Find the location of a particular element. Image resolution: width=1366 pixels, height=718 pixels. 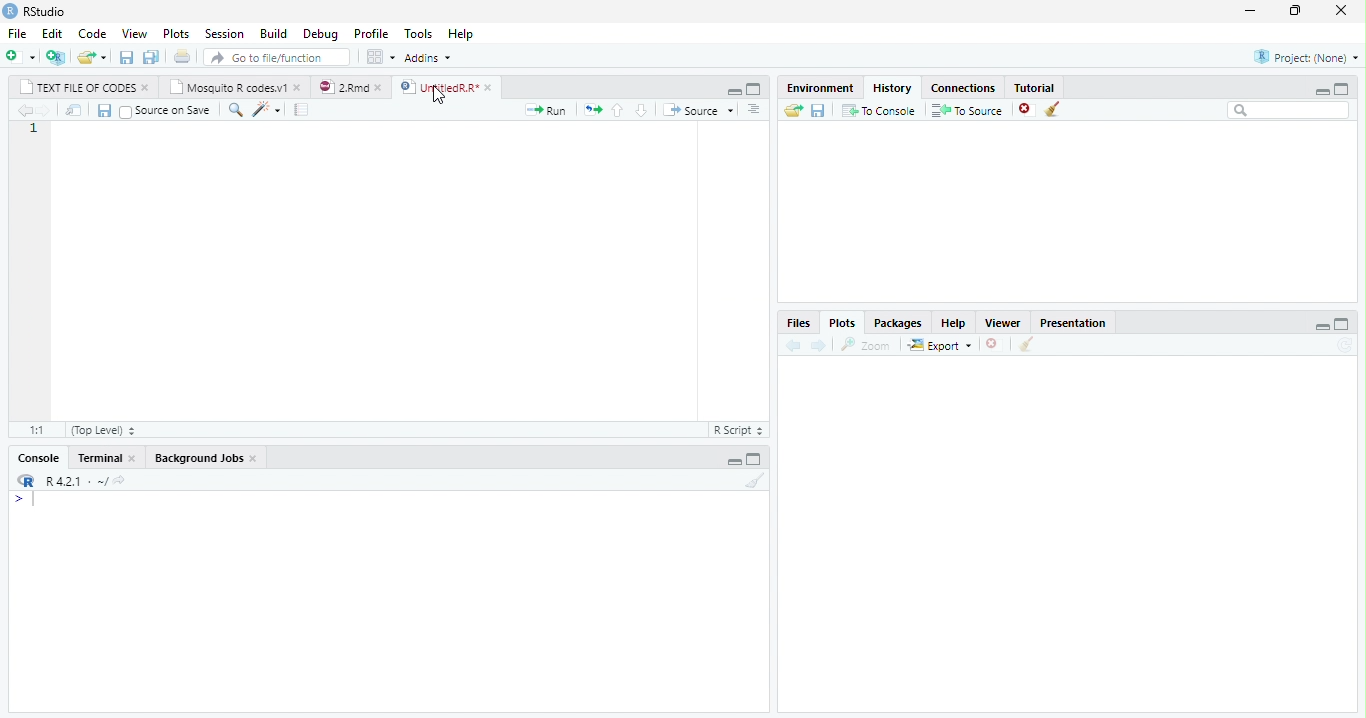

console is located at coordinates (38, 458).